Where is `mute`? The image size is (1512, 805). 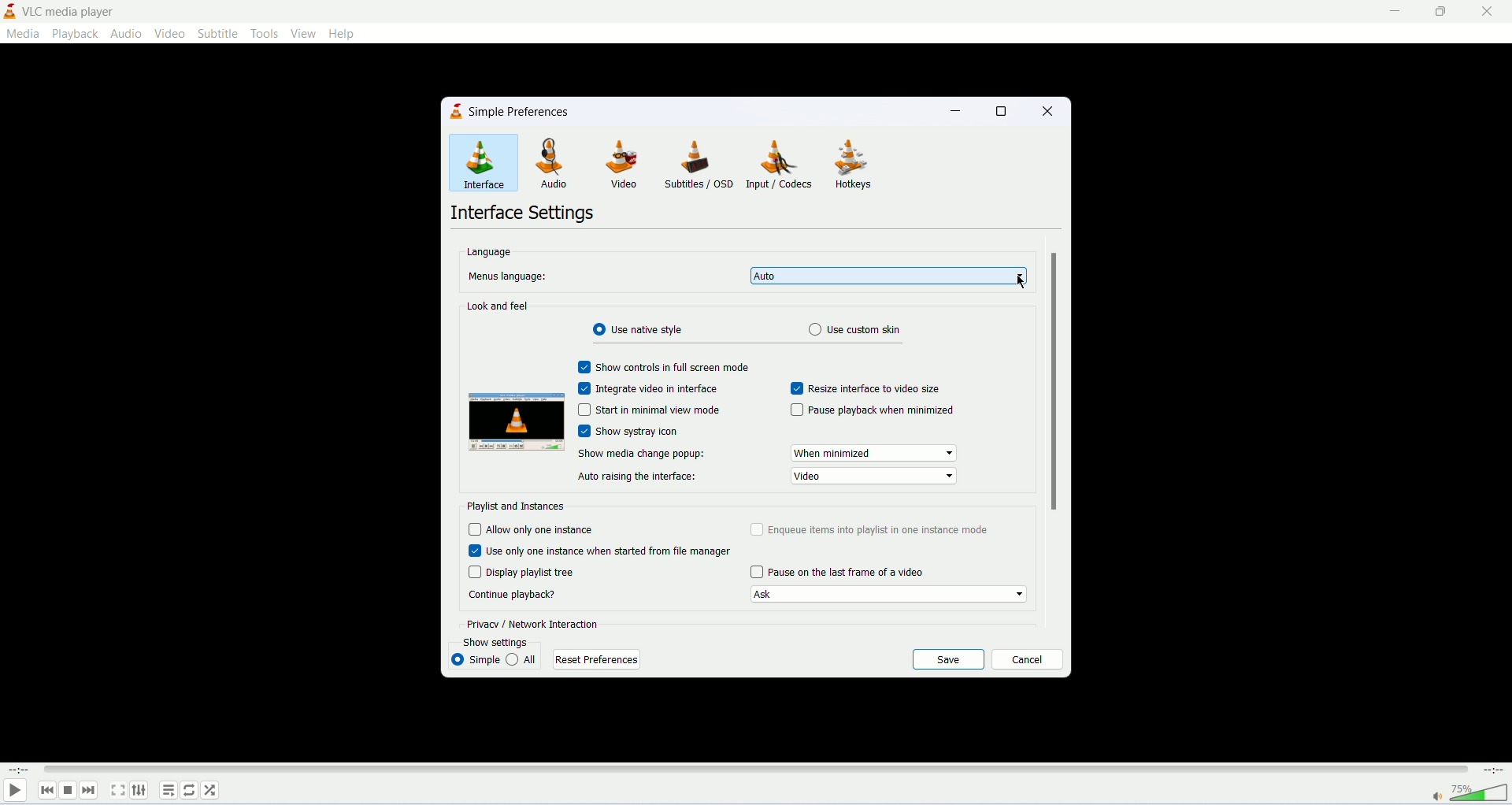 mute is located at coordinates (1437, 797).